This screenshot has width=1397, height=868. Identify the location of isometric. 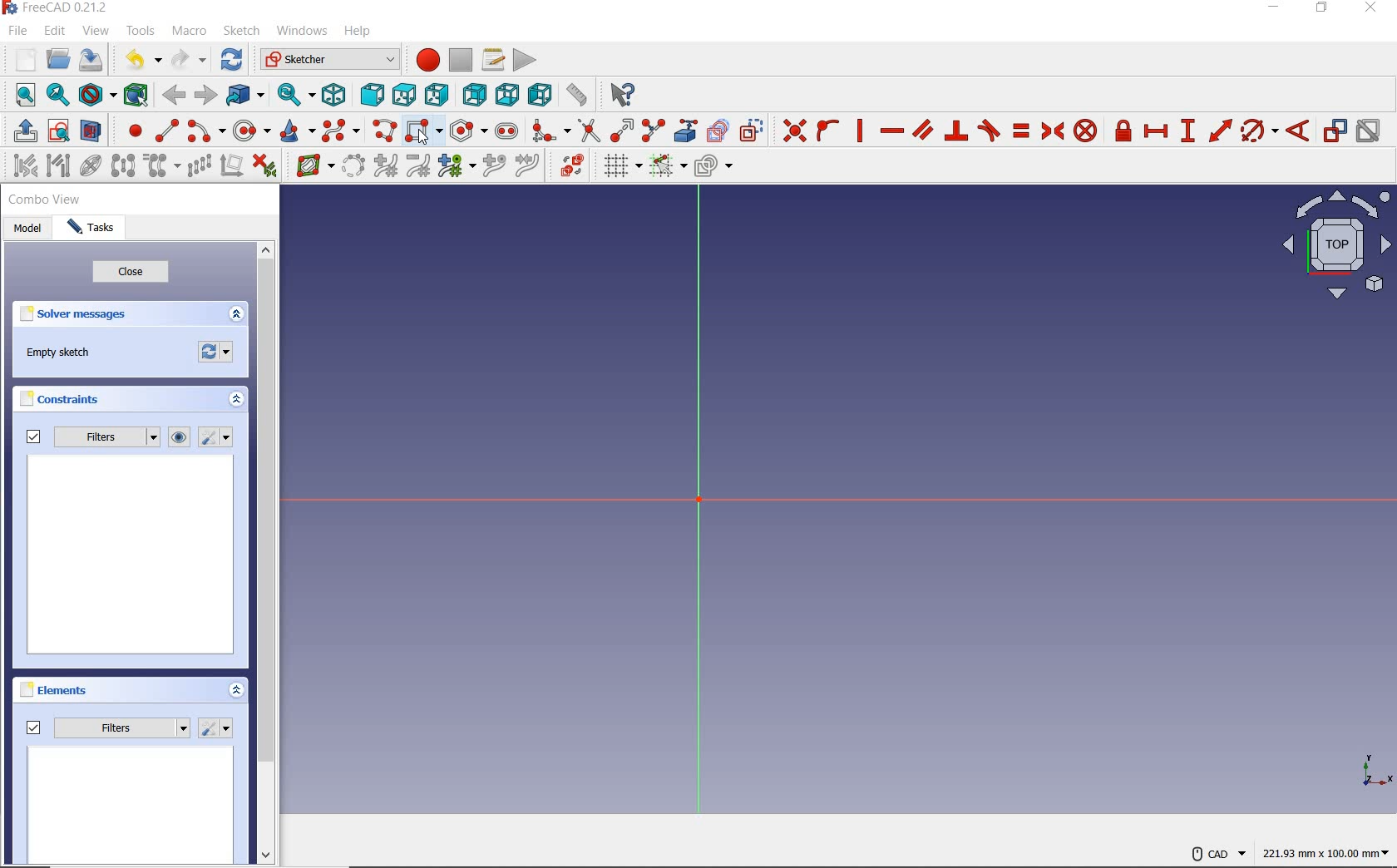
(337, 95).